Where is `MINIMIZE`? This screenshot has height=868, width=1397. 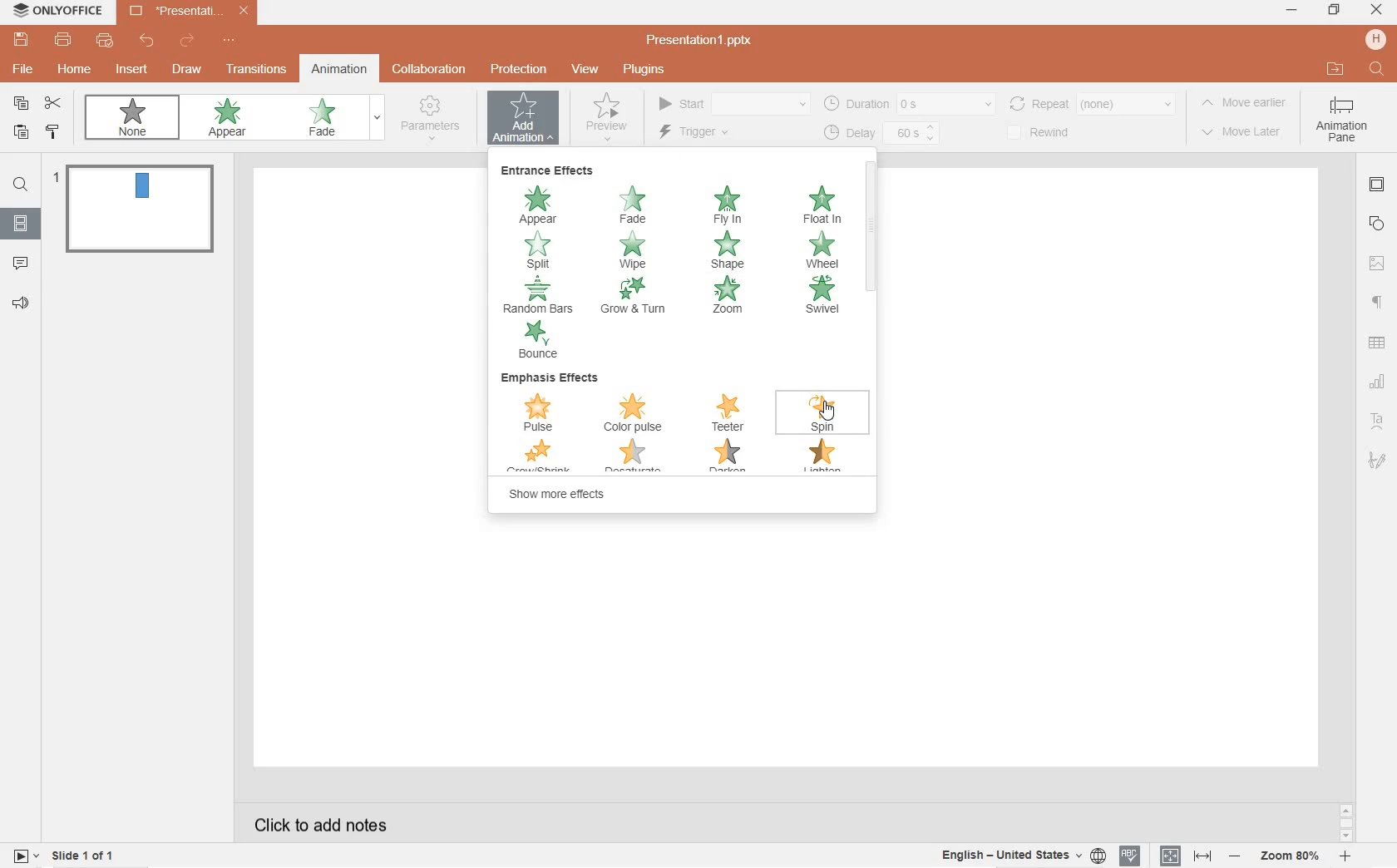
MINIMIZE is located at coordinates (1292, 12).